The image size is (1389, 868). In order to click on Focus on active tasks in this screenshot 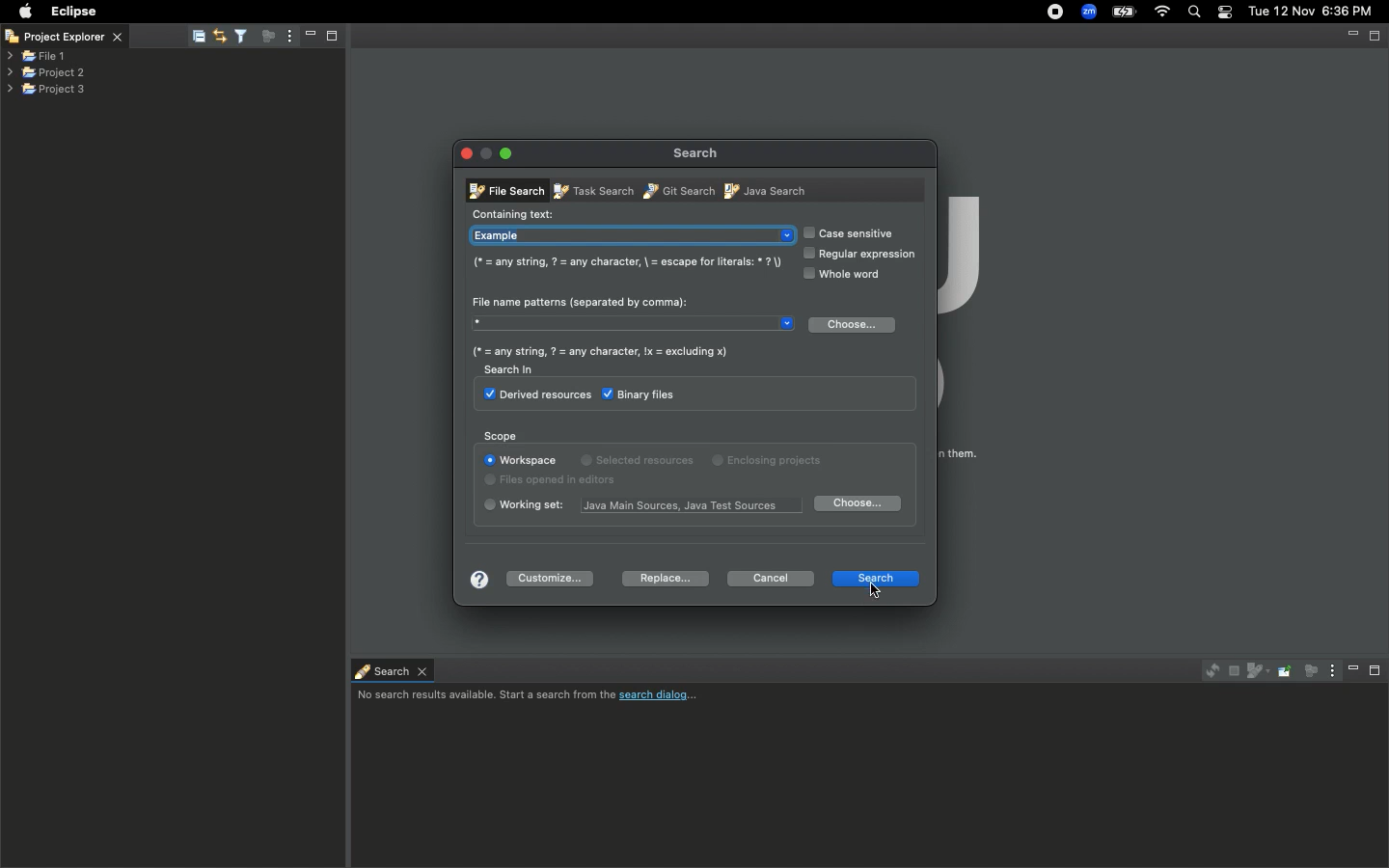, I will do `click(1305, 674)`.